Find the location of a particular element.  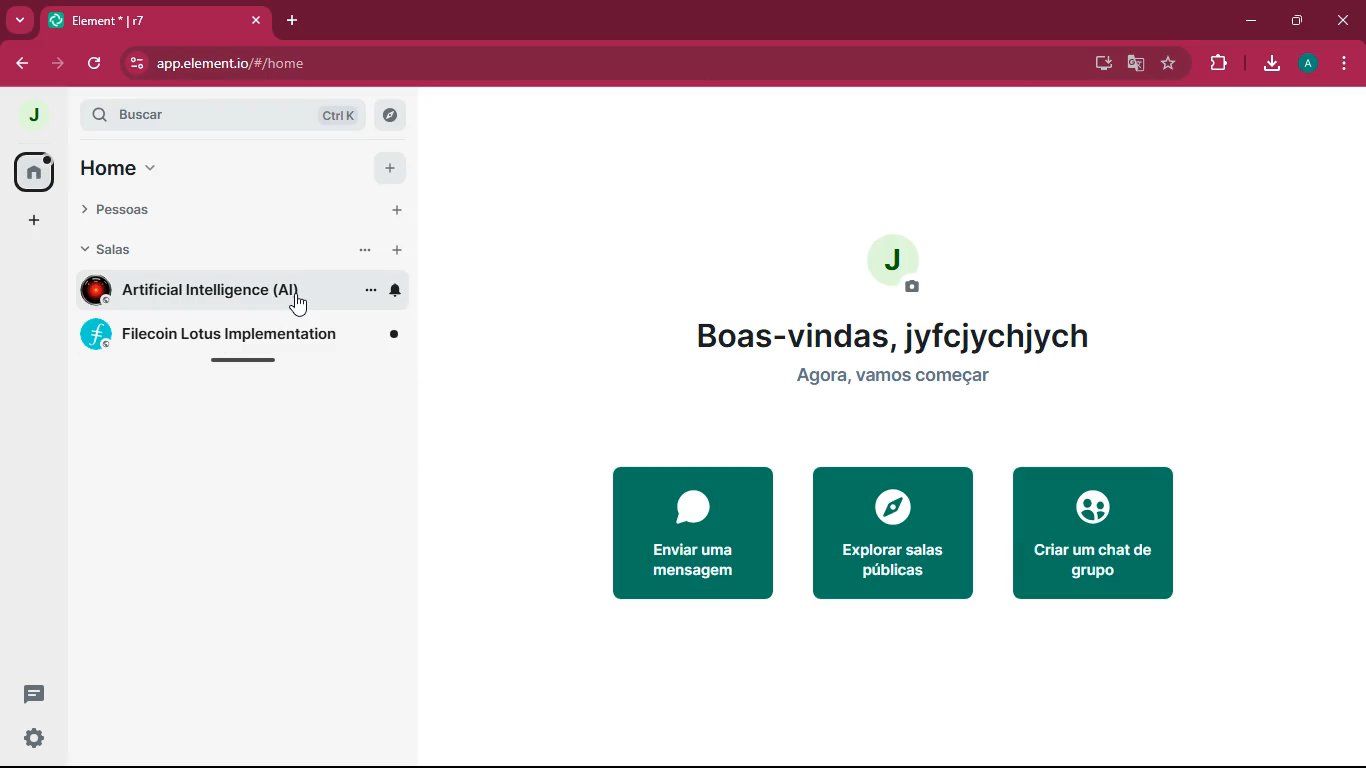

menu is located at coordinates (1344, 64).